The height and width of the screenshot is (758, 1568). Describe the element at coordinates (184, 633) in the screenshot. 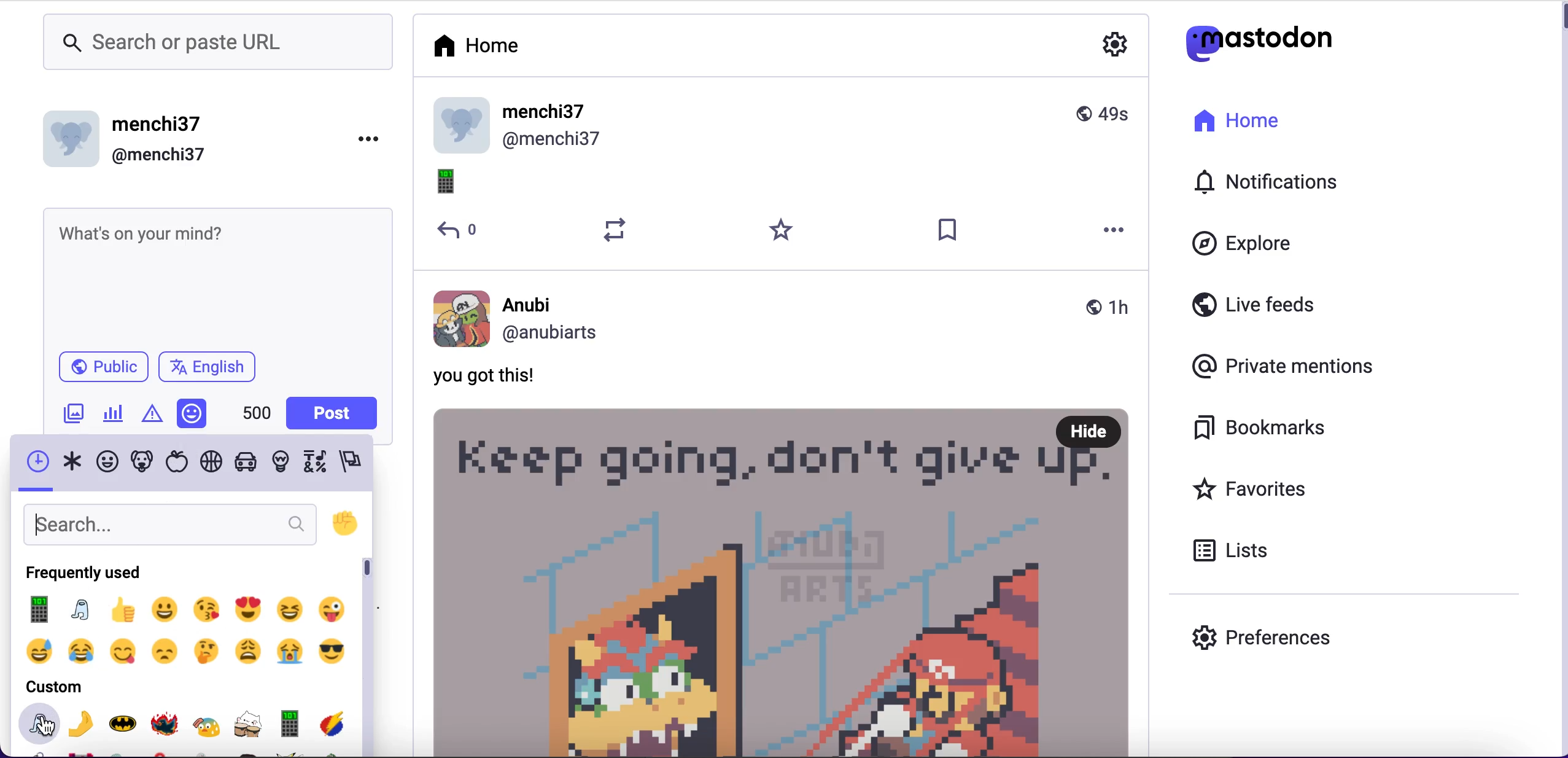

I see `frequently used emojis` at that location.